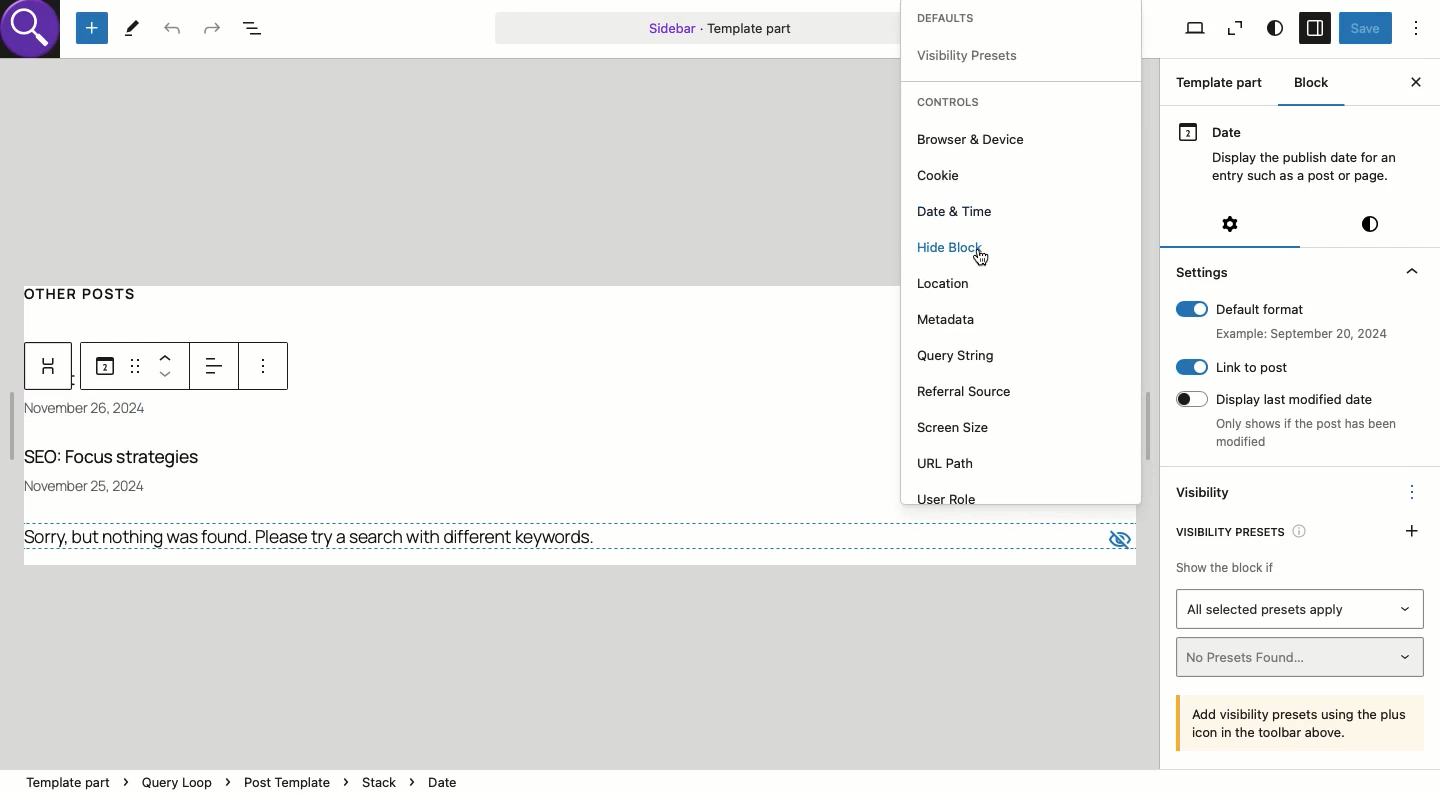  What do you see at coordinates (1223, 564) in the screenshot?
I see `Show the block if` at bounding box center [1223, 564].